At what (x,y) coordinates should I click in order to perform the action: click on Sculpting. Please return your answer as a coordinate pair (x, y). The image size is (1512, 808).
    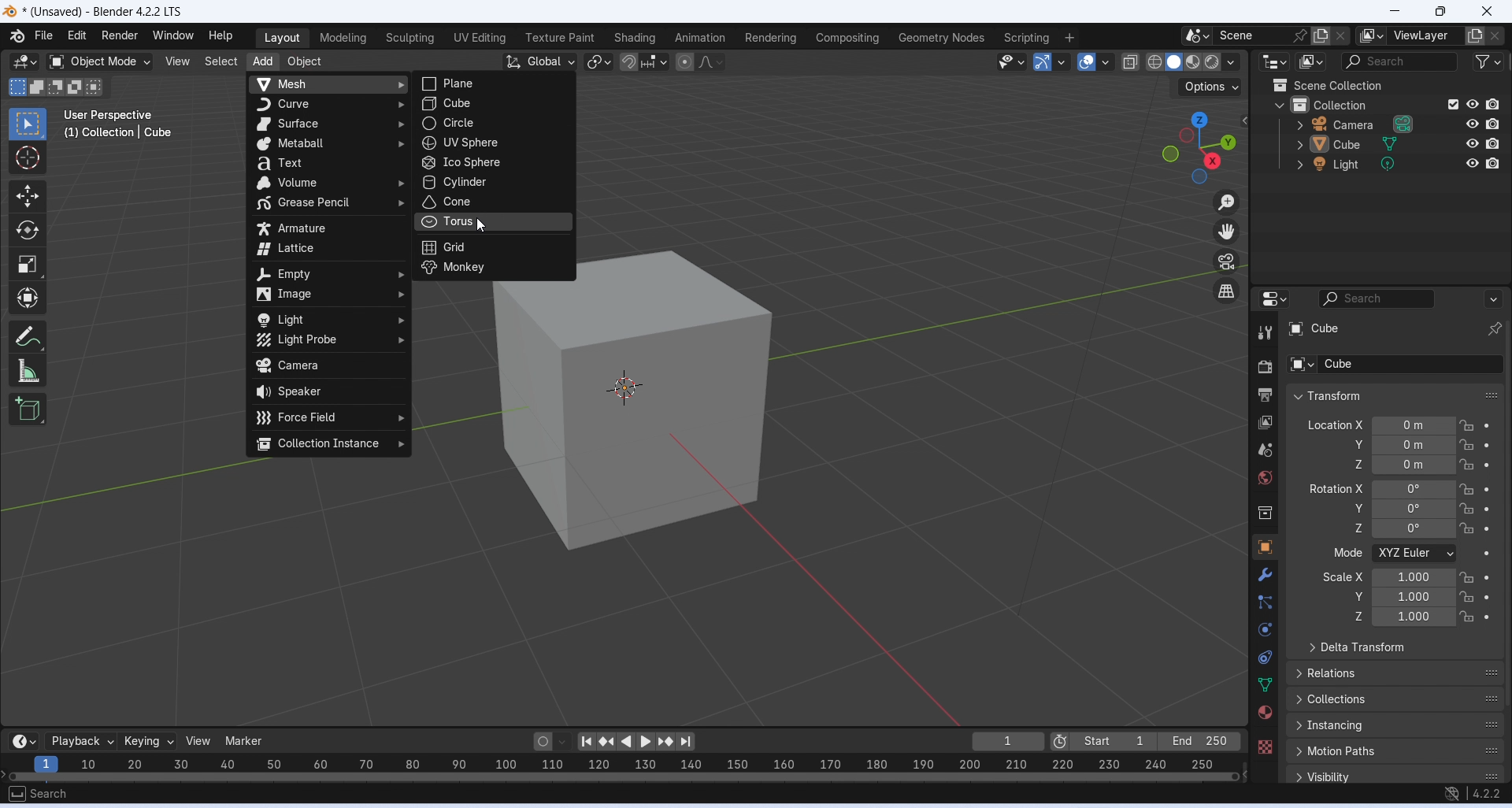
    Looking at the image, I should click on (408, 39).